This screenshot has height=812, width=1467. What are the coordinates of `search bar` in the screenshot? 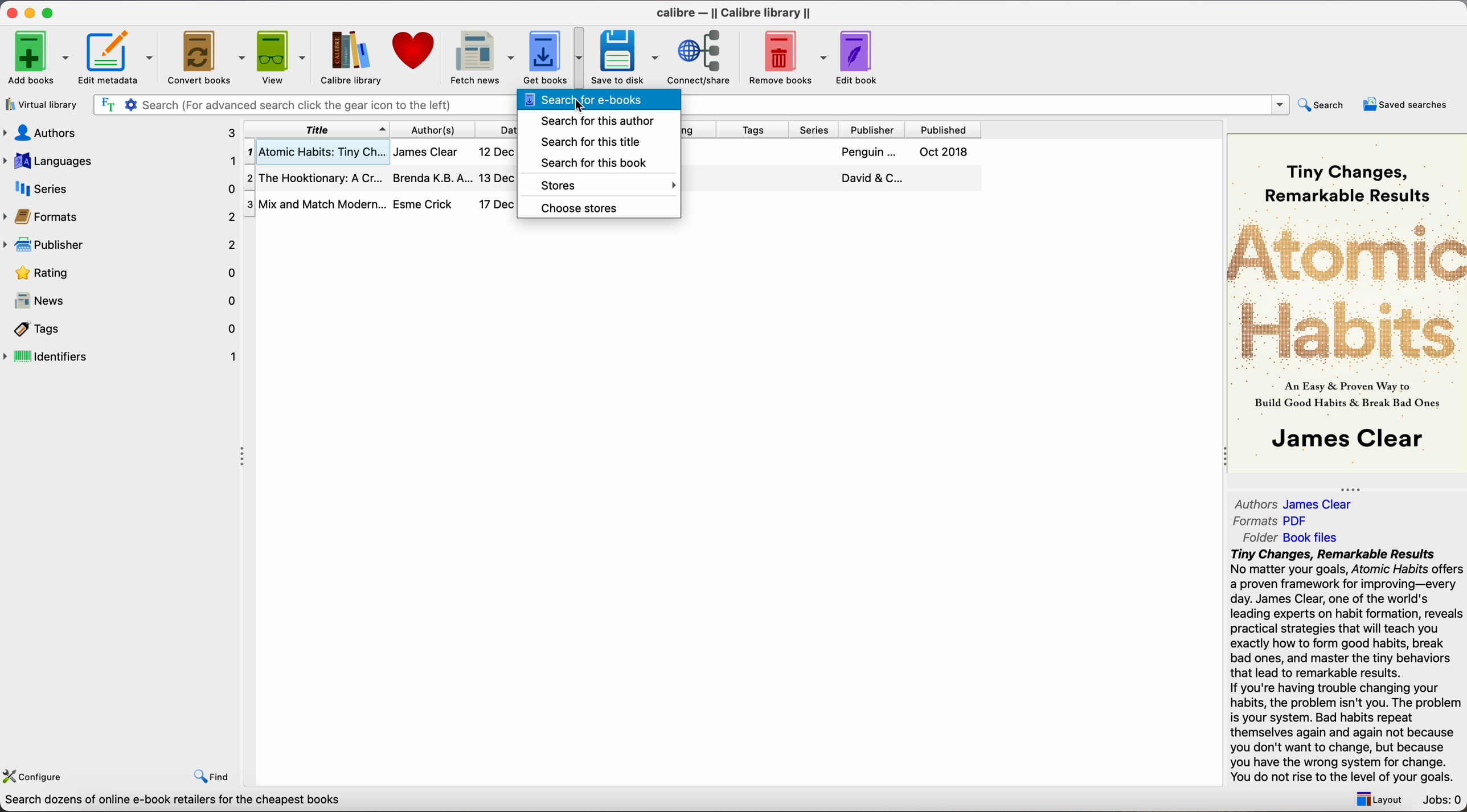 It's located at (299, 105).